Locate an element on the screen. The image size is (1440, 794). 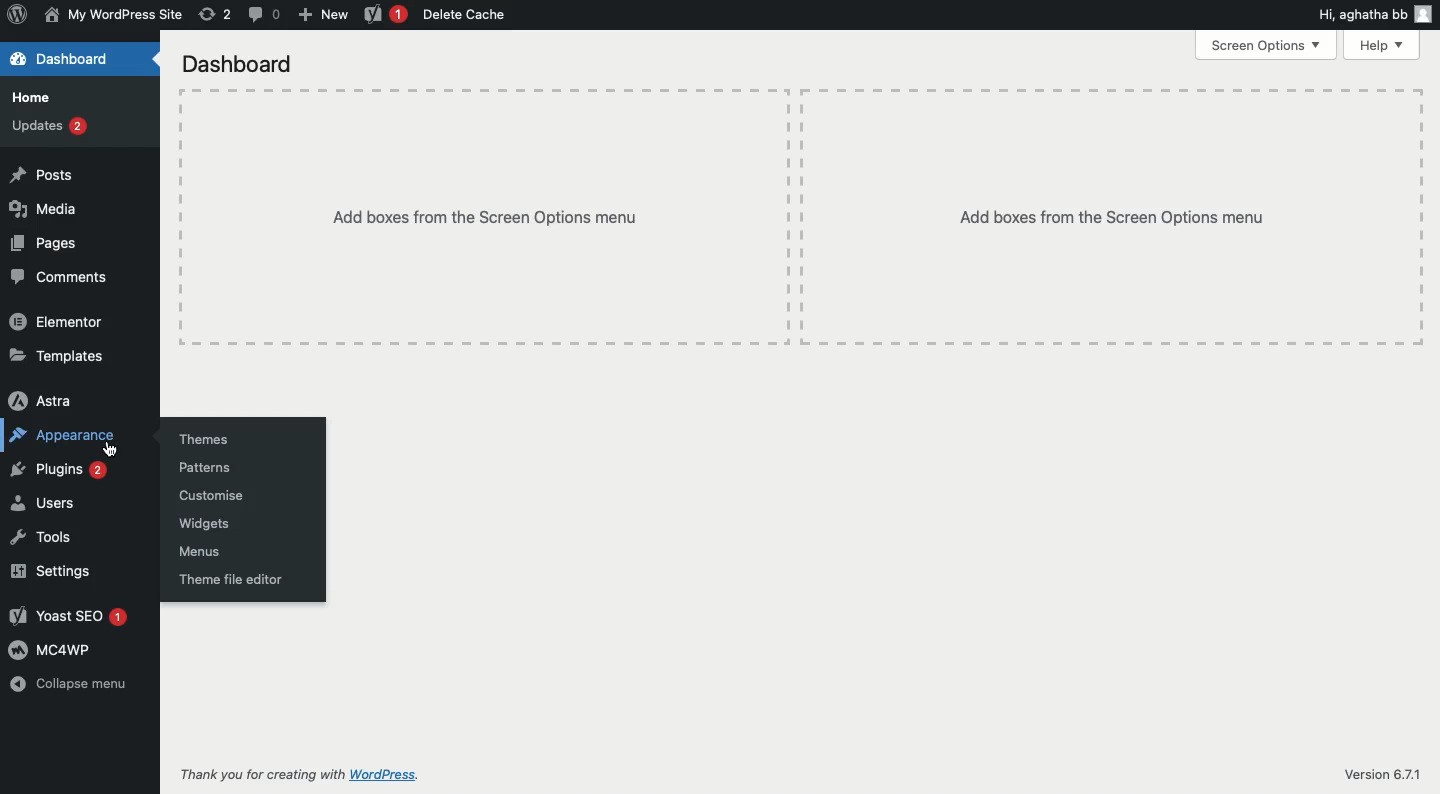
Updates is located at coordinates (47, 127).